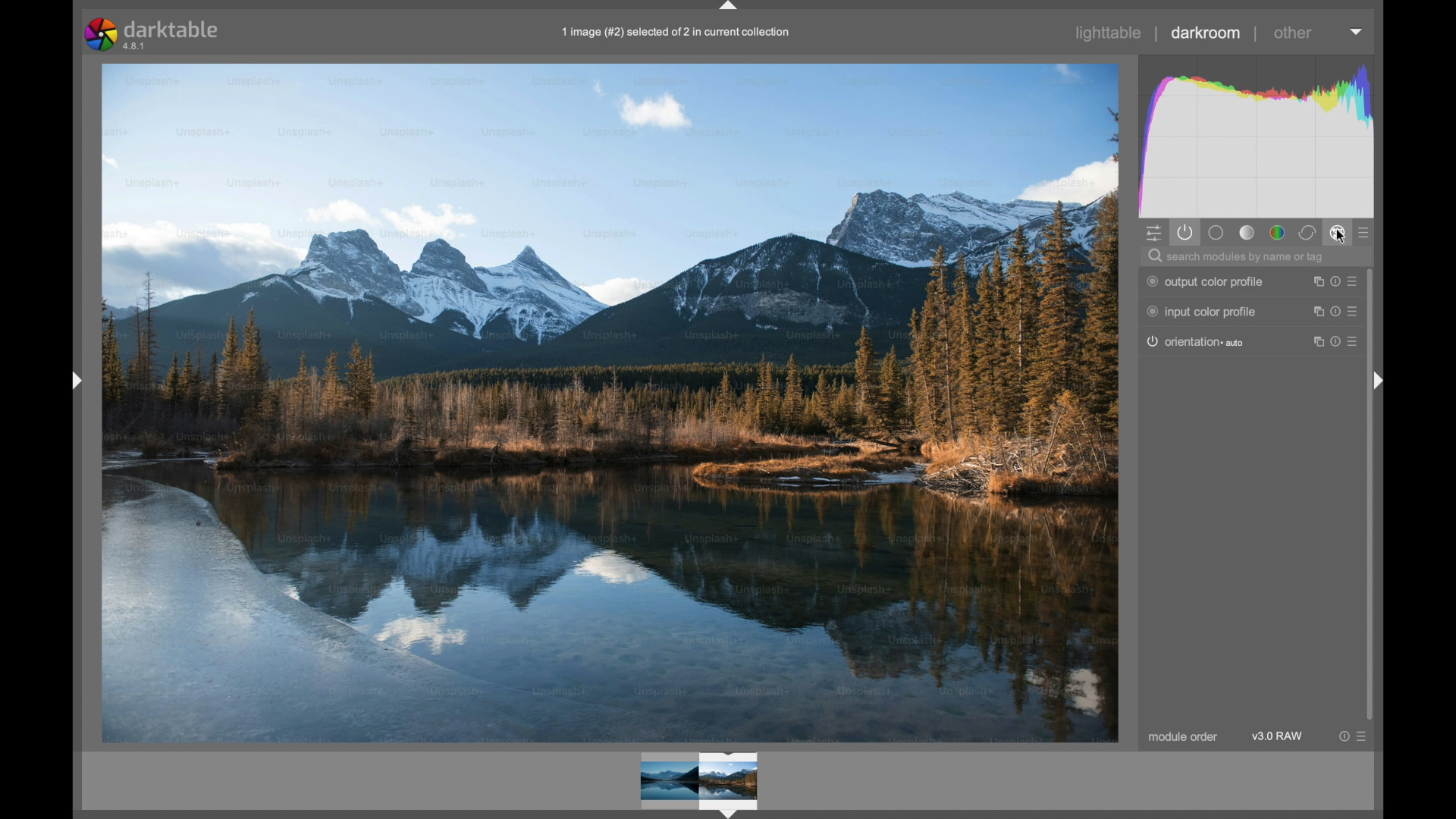 The width and height of the screenshot is (1456, 819). What do you see at coordinates (1339, 237) in the screenshot?
I see `cursor` at bounding box center [1339, 237].